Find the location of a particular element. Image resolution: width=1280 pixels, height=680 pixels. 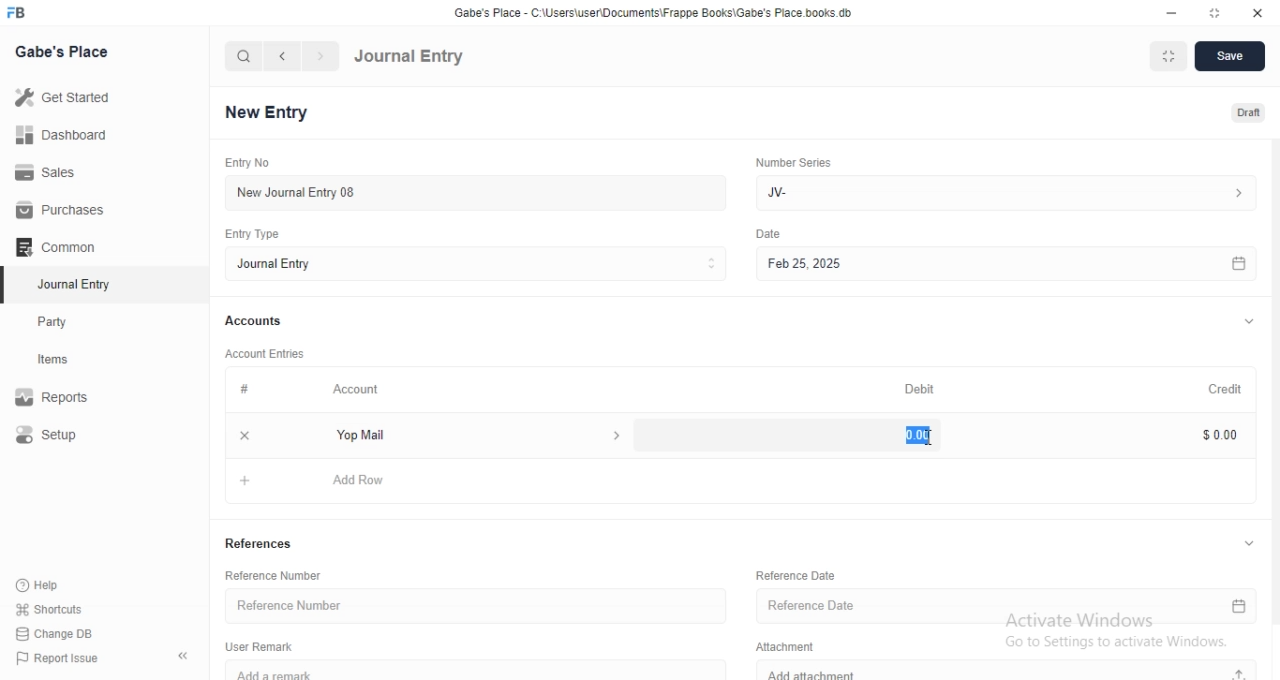

Feb 25, 2025 is located at coordinates (1003, 263).